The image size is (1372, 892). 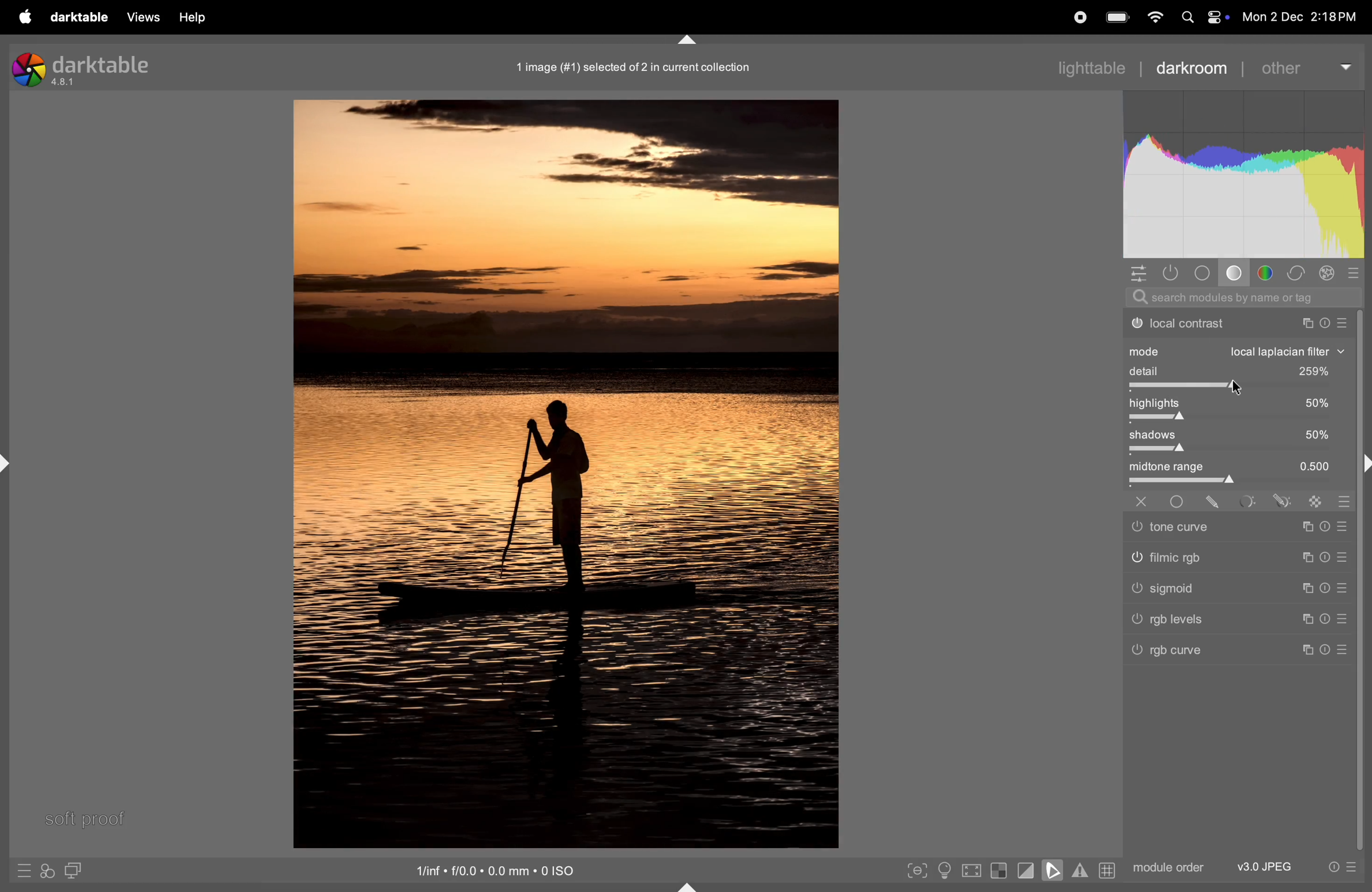 I want to click on sign, so click(x=1250, y=502).